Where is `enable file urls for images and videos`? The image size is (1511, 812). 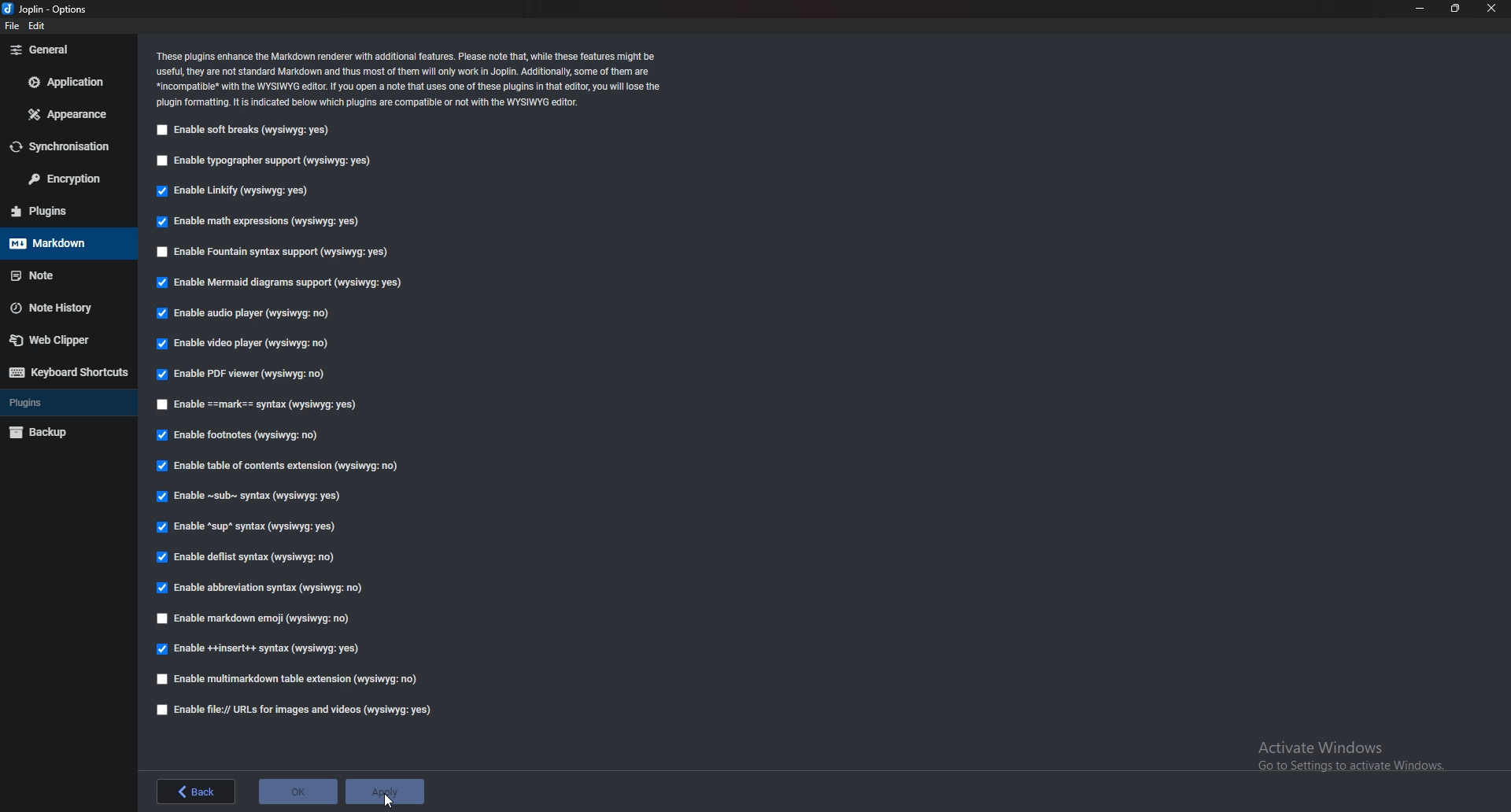
enable file urls for images and videos is located at coordinates (295, 710).